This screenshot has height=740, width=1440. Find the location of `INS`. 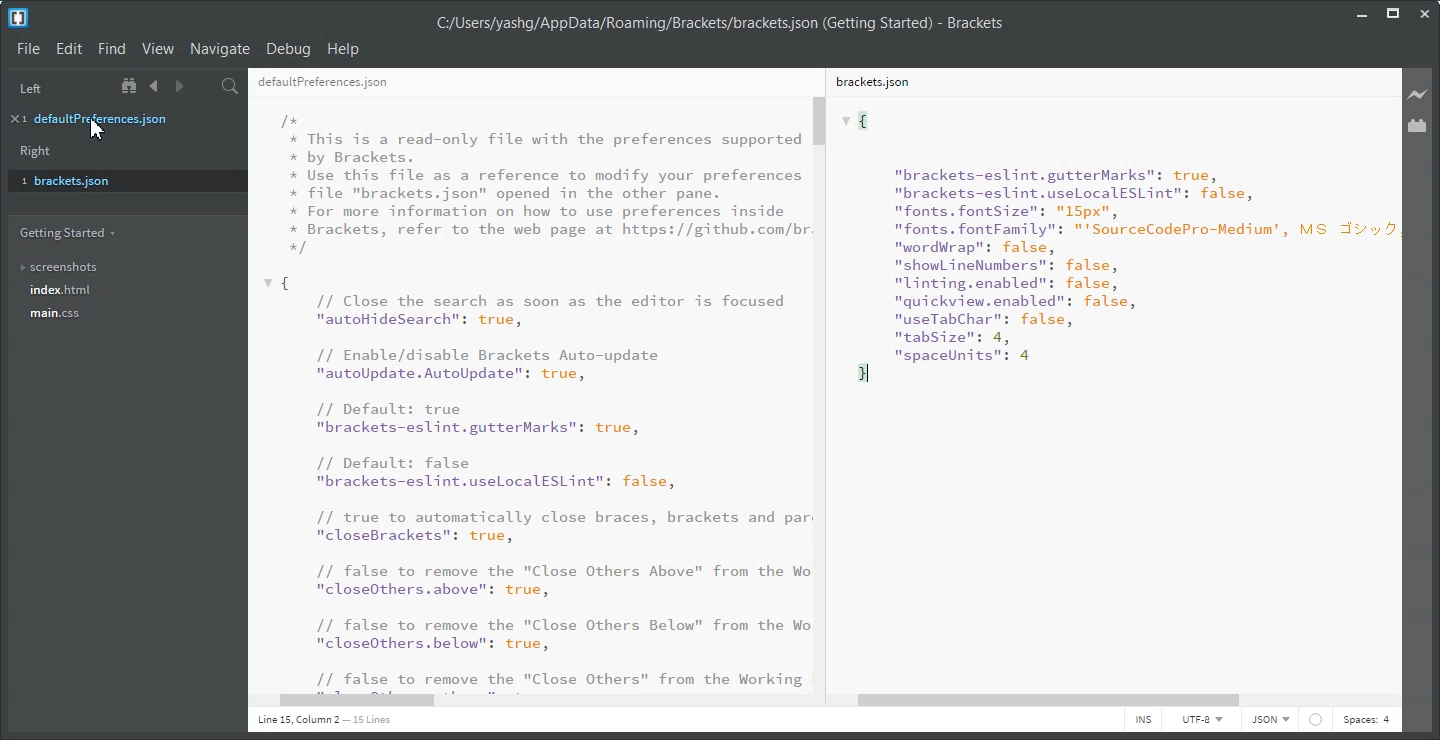

INS is located at coordinates (1143, 721).